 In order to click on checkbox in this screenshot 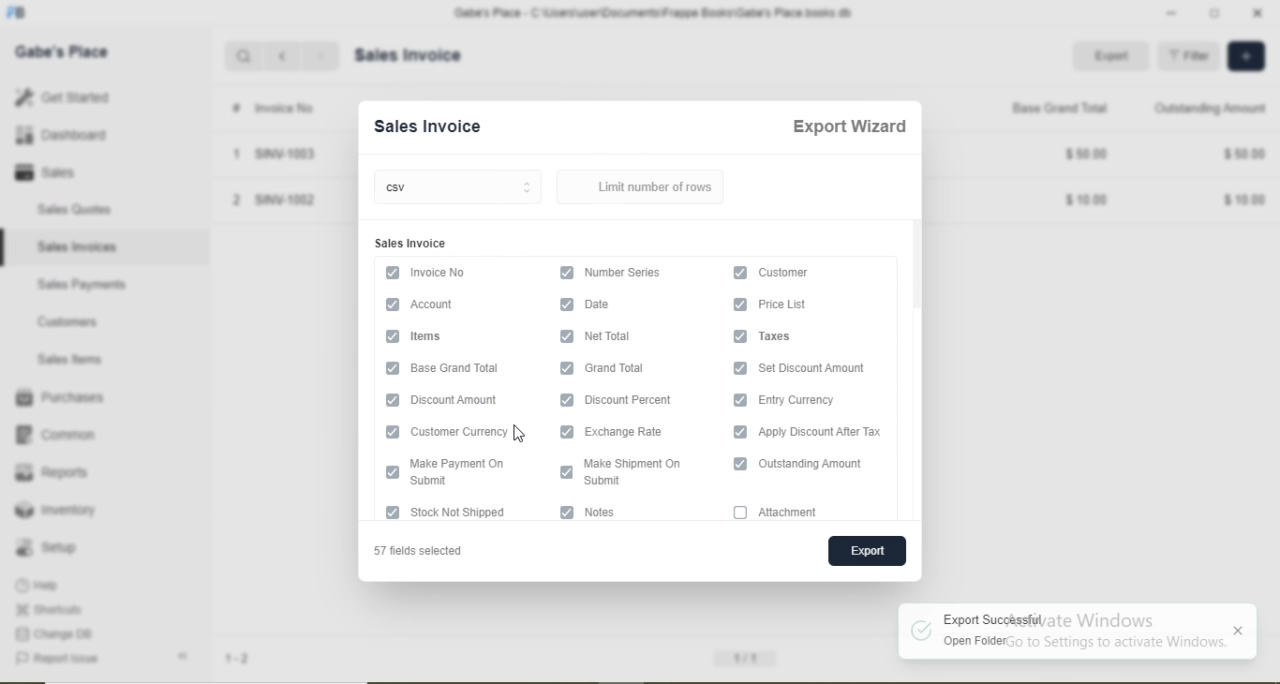, I will do `click(740, 513)`.